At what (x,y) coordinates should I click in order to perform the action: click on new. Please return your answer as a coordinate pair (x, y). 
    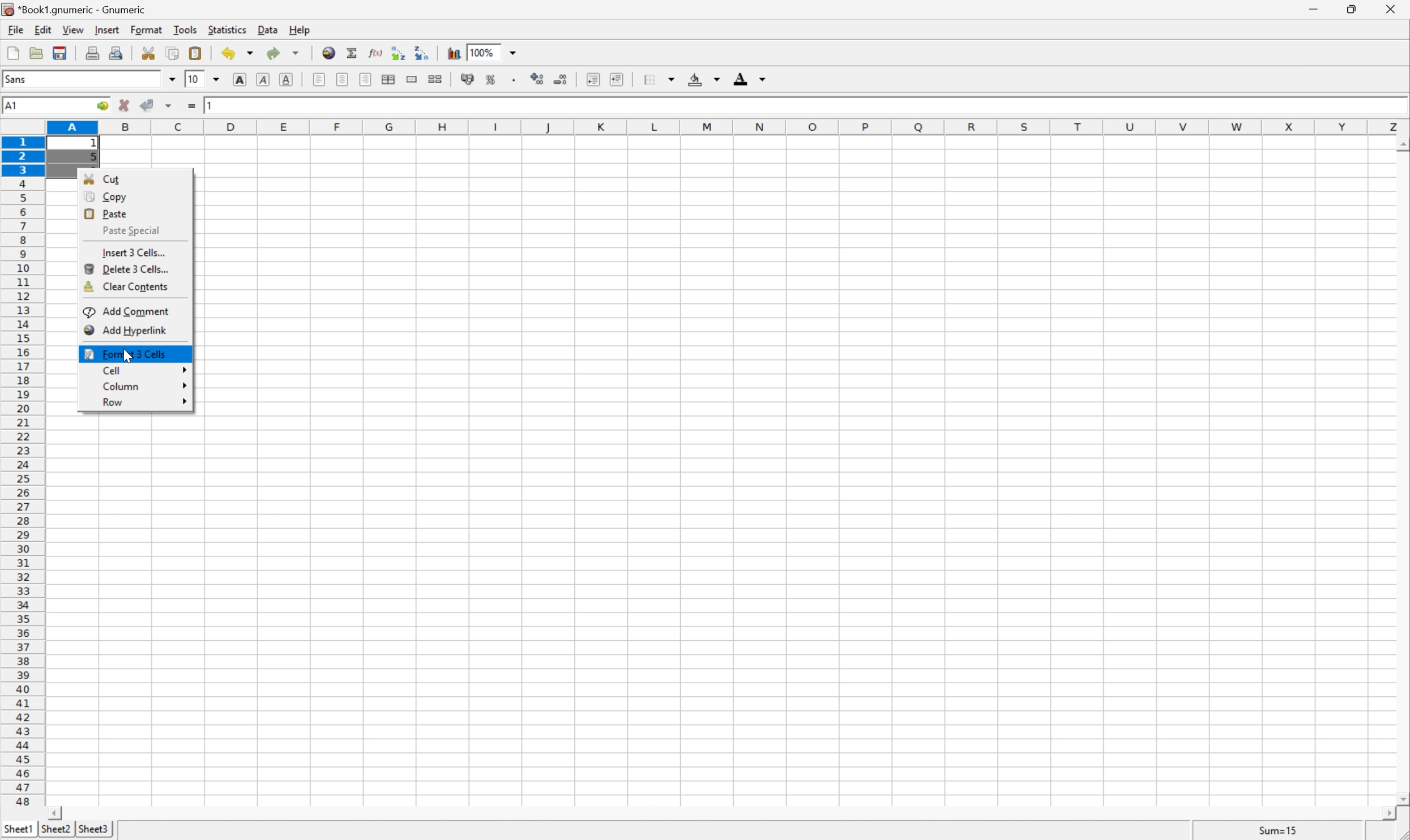
    Looking at the image, I should click on (14, 50).